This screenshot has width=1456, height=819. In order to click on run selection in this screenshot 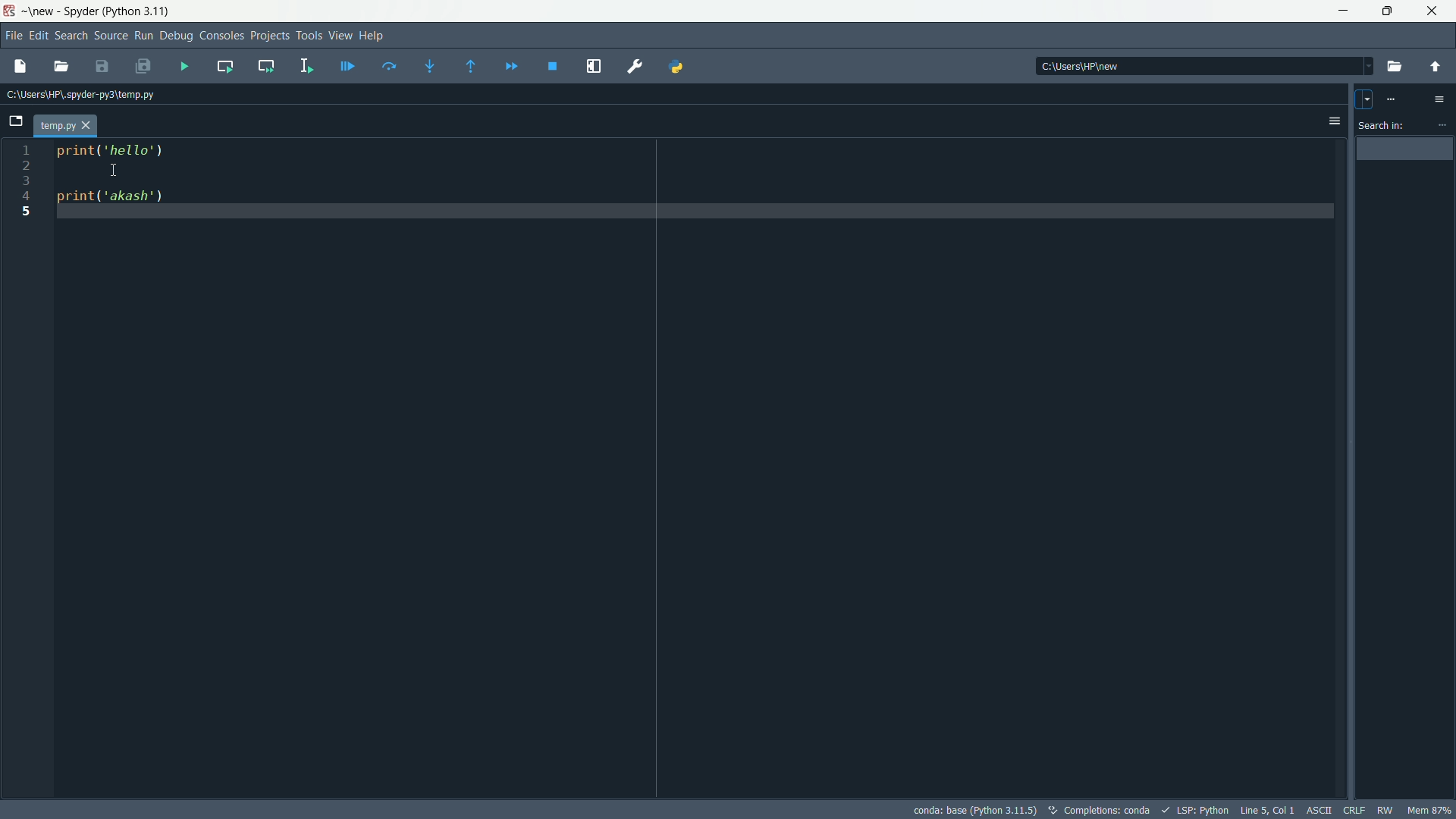, I will do `click(306, 66)`.